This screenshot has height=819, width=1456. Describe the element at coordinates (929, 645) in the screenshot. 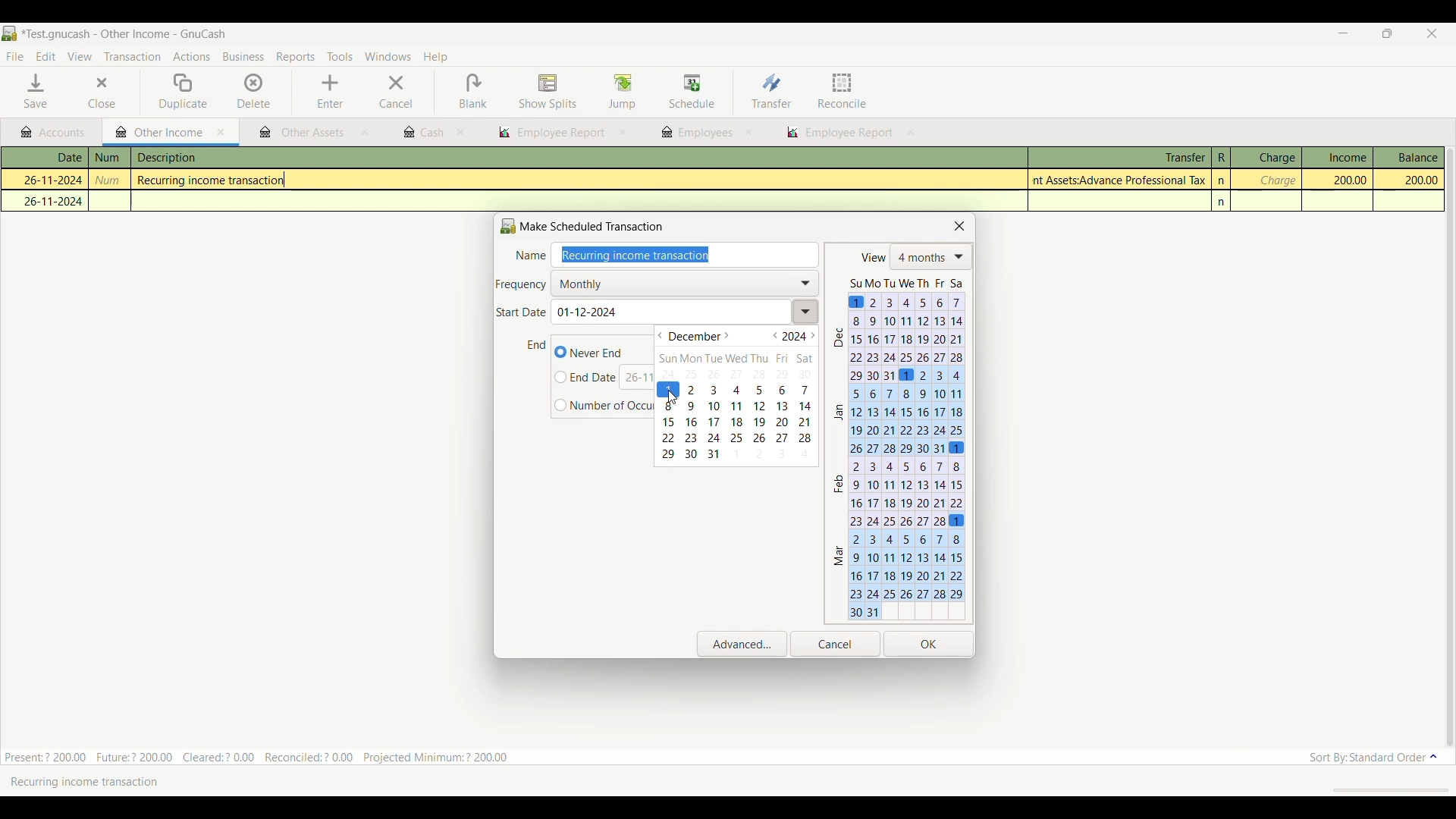

I see `Save inputs` at that location.